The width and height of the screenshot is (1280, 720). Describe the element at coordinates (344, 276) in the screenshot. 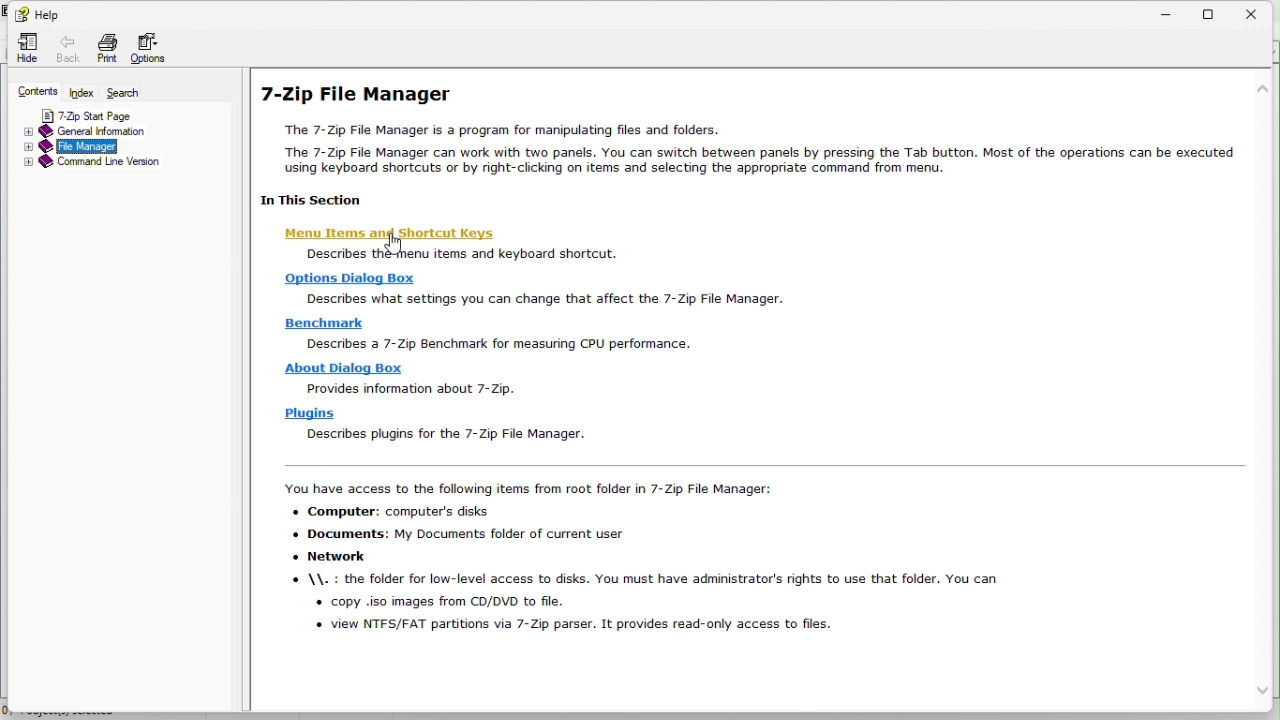

I see `Options dialogue box` at that location.